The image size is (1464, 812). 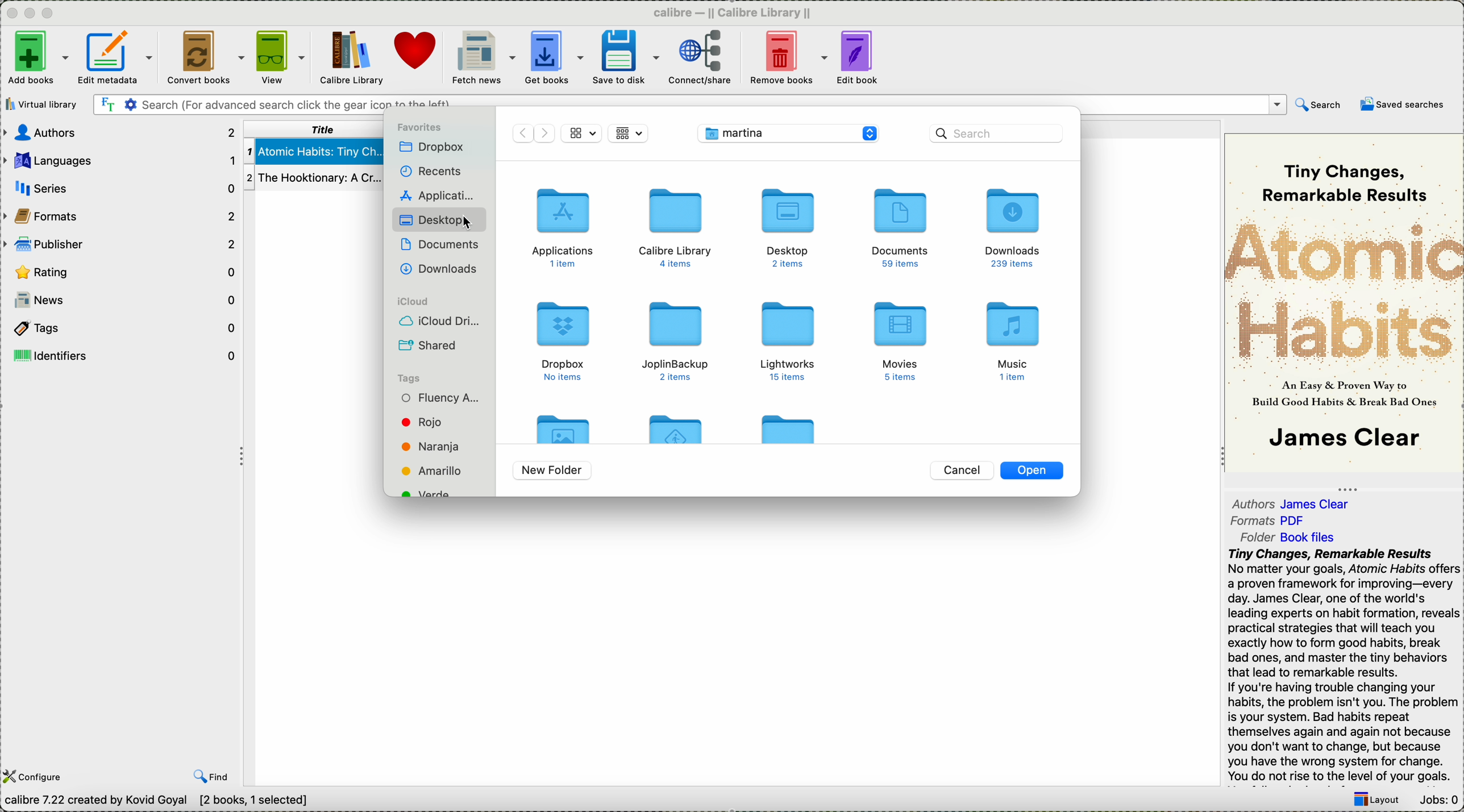 What do you see at coordinates (36, 776) in the screenshot?
I see `configure` at bounding box center [36, 776].